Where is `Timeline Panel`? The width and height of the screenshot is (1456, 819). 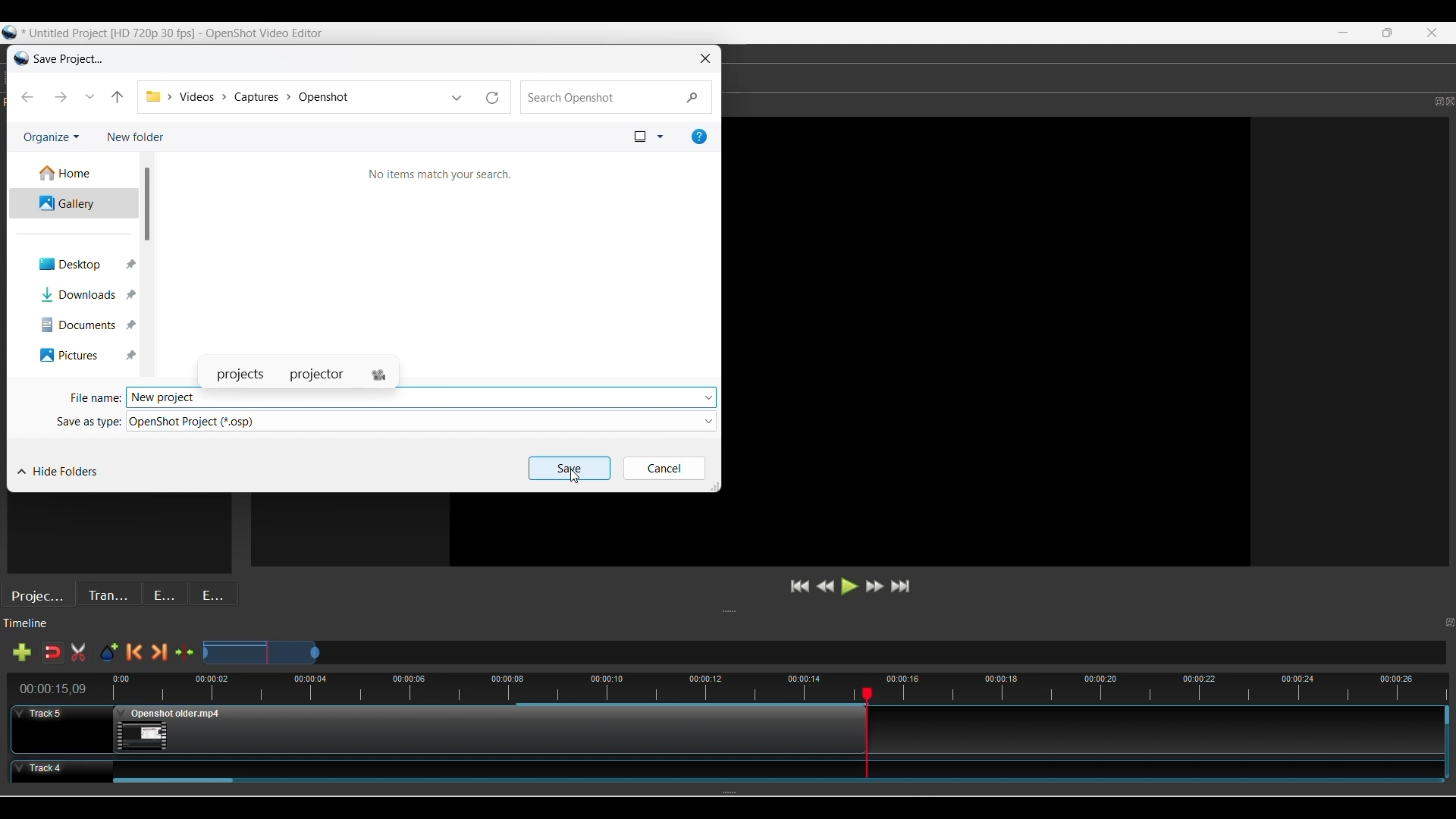 Timeline Panel is located at coordinates (714, 627).